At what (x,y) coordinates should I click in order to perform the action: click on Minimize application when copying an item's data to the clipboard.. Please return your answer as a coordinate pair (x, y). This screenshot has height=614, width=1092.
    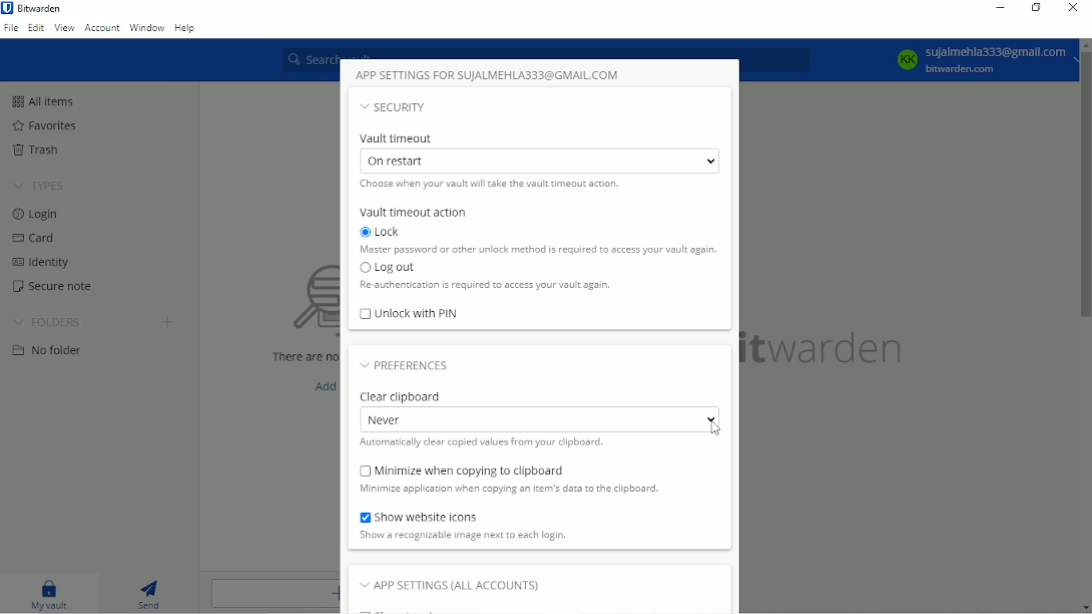
    Looking at the image, I should click on (508, 490).